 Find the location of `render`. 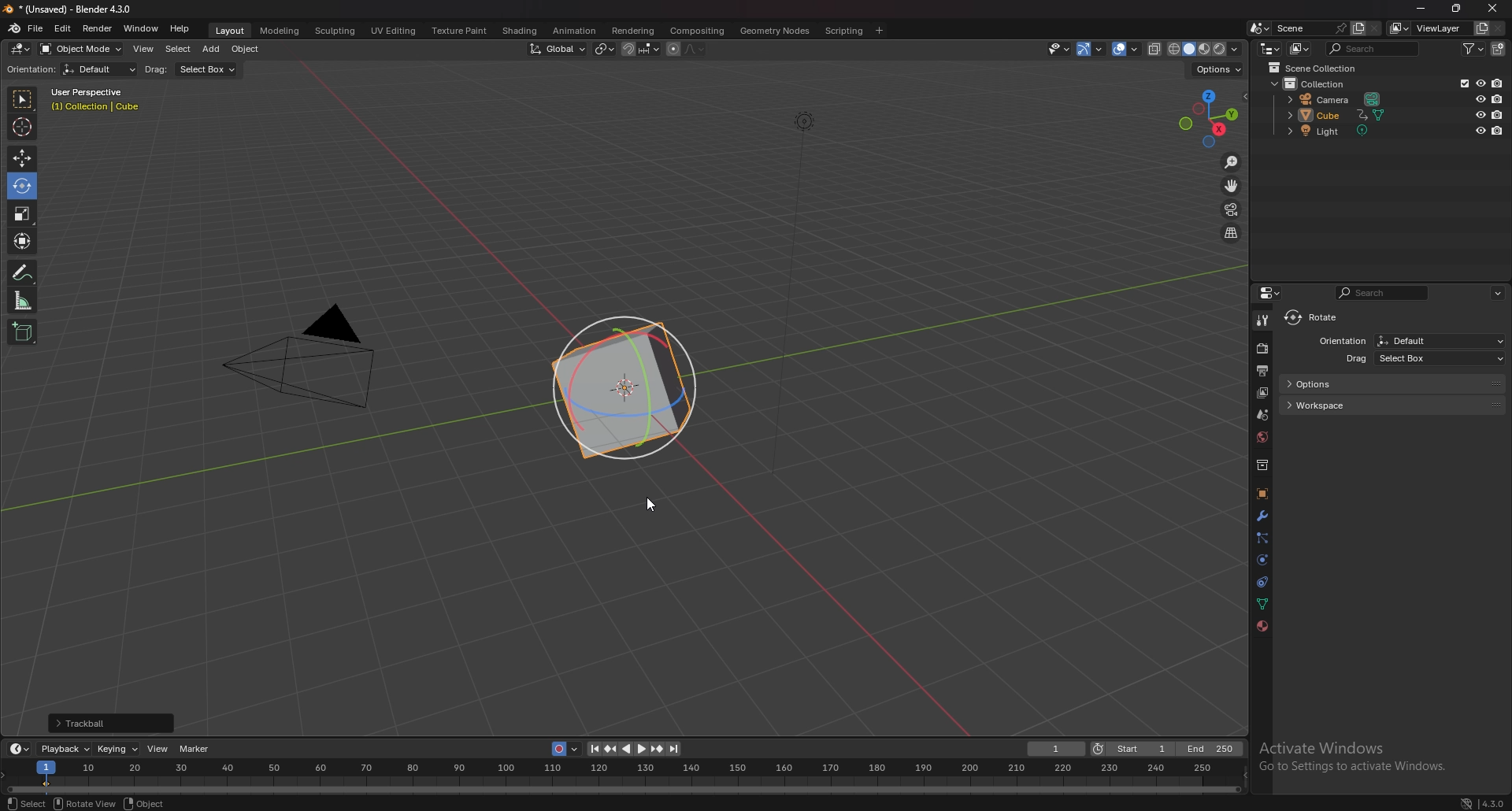

render is located at coordinates (1263, 348).